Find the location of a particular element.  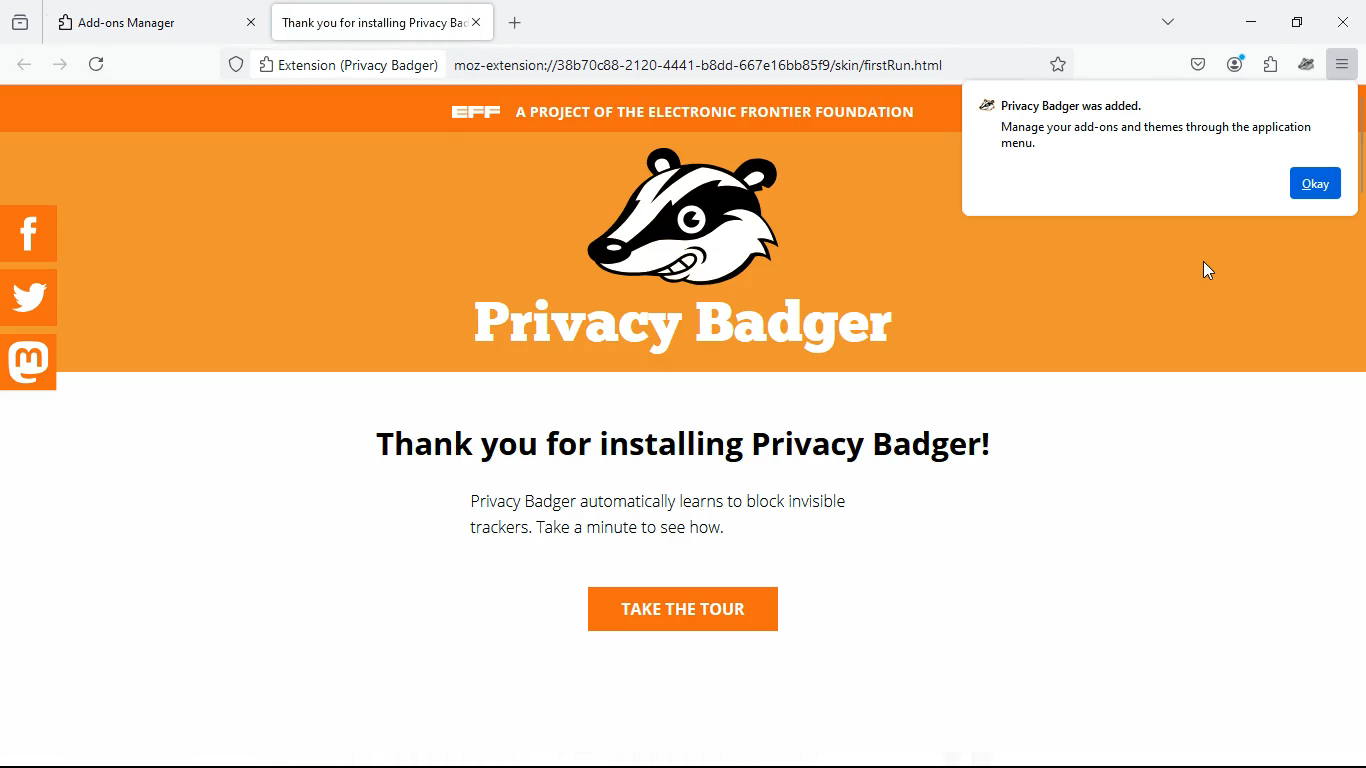

profile is located at coordinates (1235, 64).